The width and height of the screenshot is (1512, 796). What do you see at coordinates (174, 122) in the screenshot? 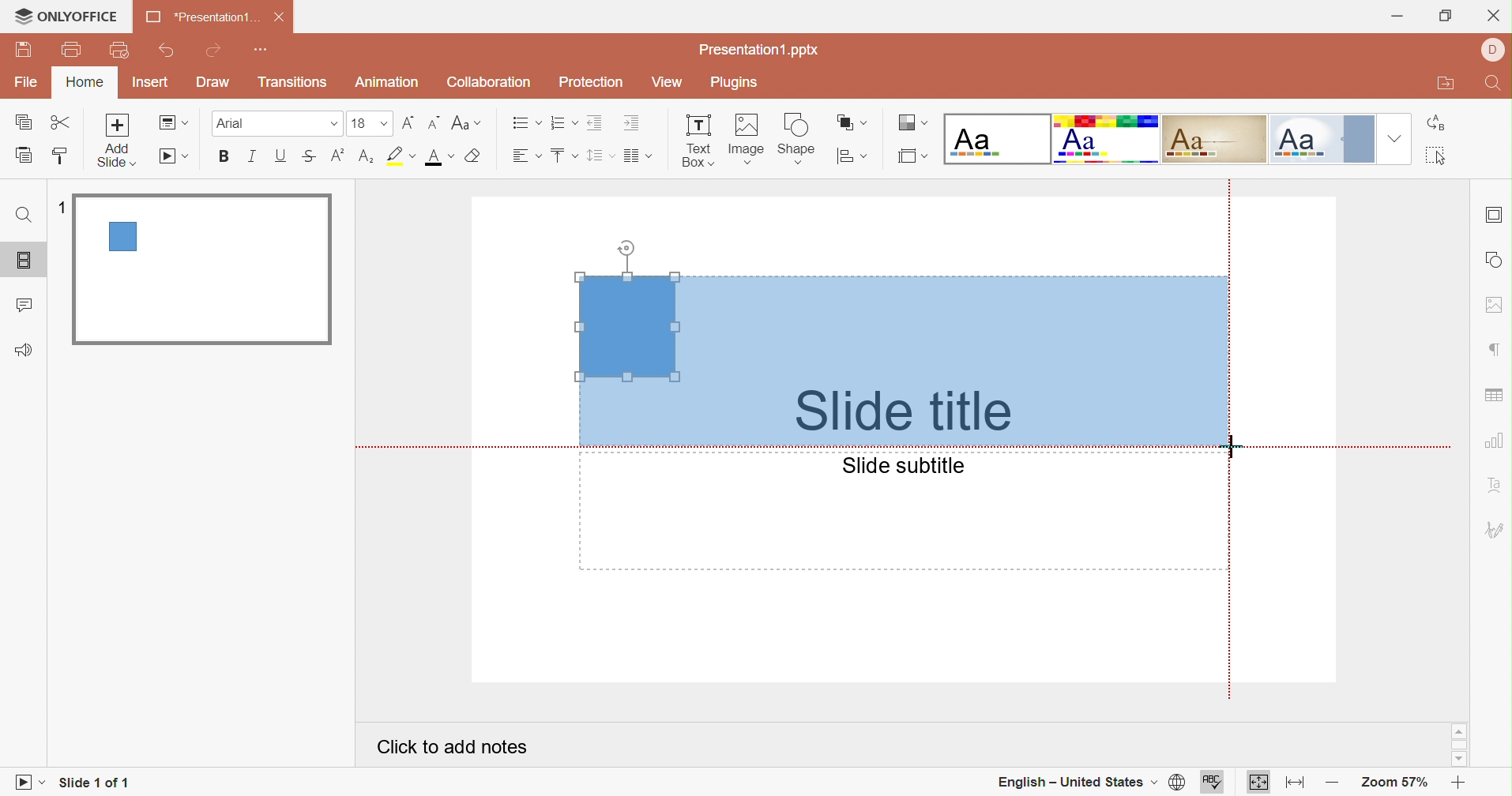
I see `Change slide layout` at bounding box center [174, 122].